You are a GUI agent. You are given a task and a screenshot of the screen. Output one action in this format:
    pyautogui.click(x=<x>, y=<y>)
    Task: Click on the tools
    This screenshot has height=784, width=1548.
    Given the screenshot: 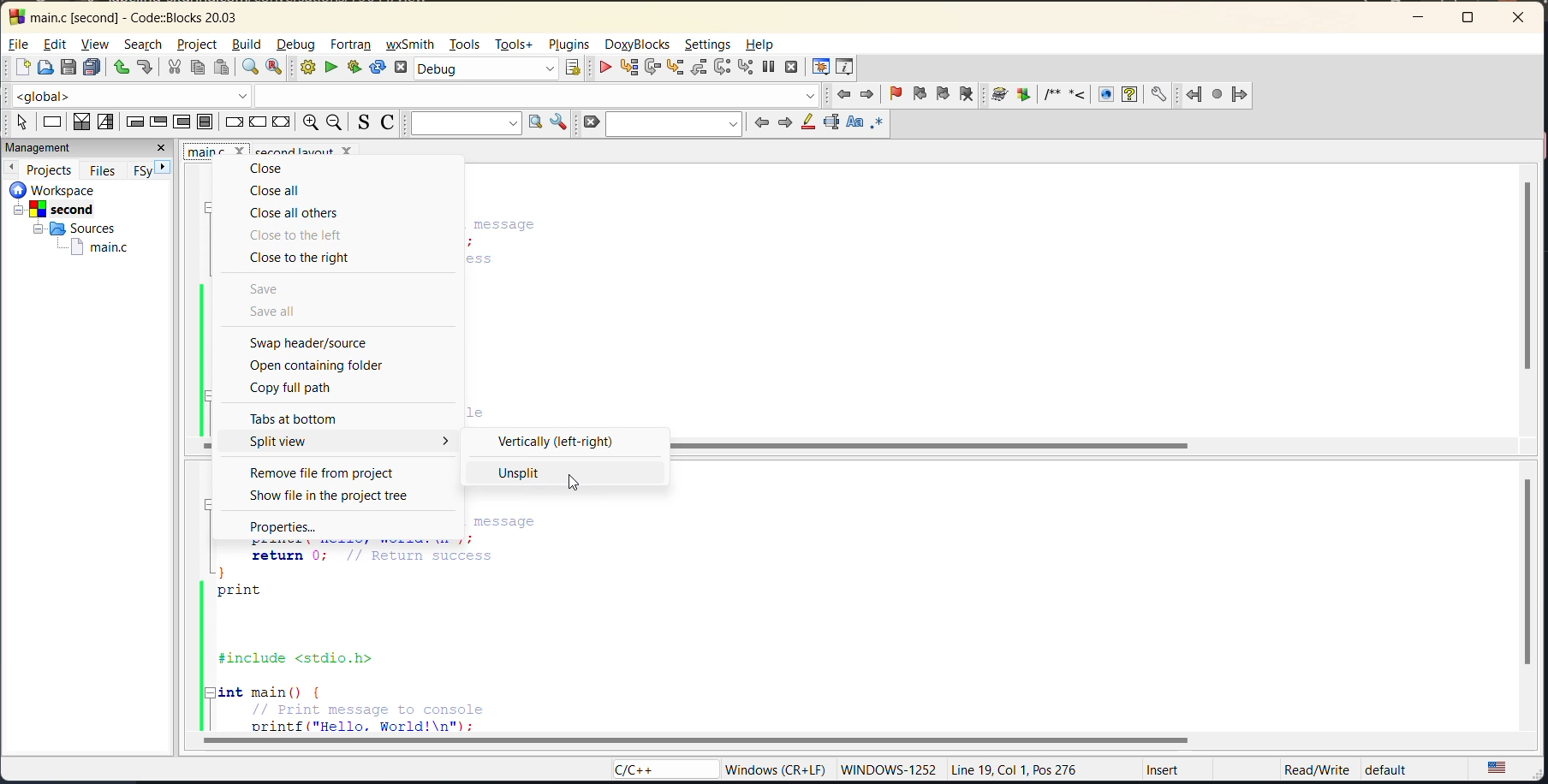 What is the action you would take?
    pyautogui.click(x=467, y=43)
    